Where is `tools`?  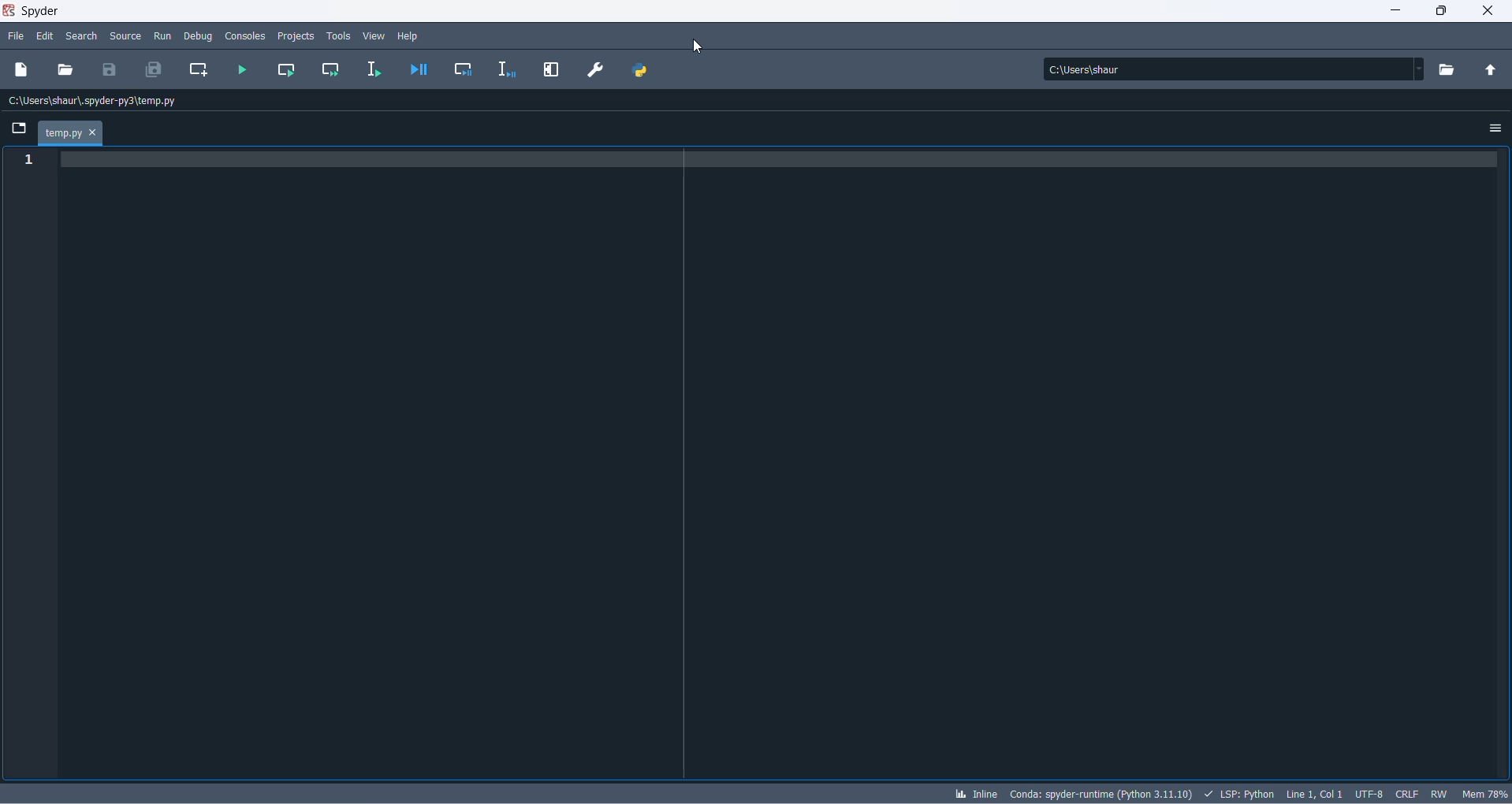
tools is located at coordinates (339, 35).